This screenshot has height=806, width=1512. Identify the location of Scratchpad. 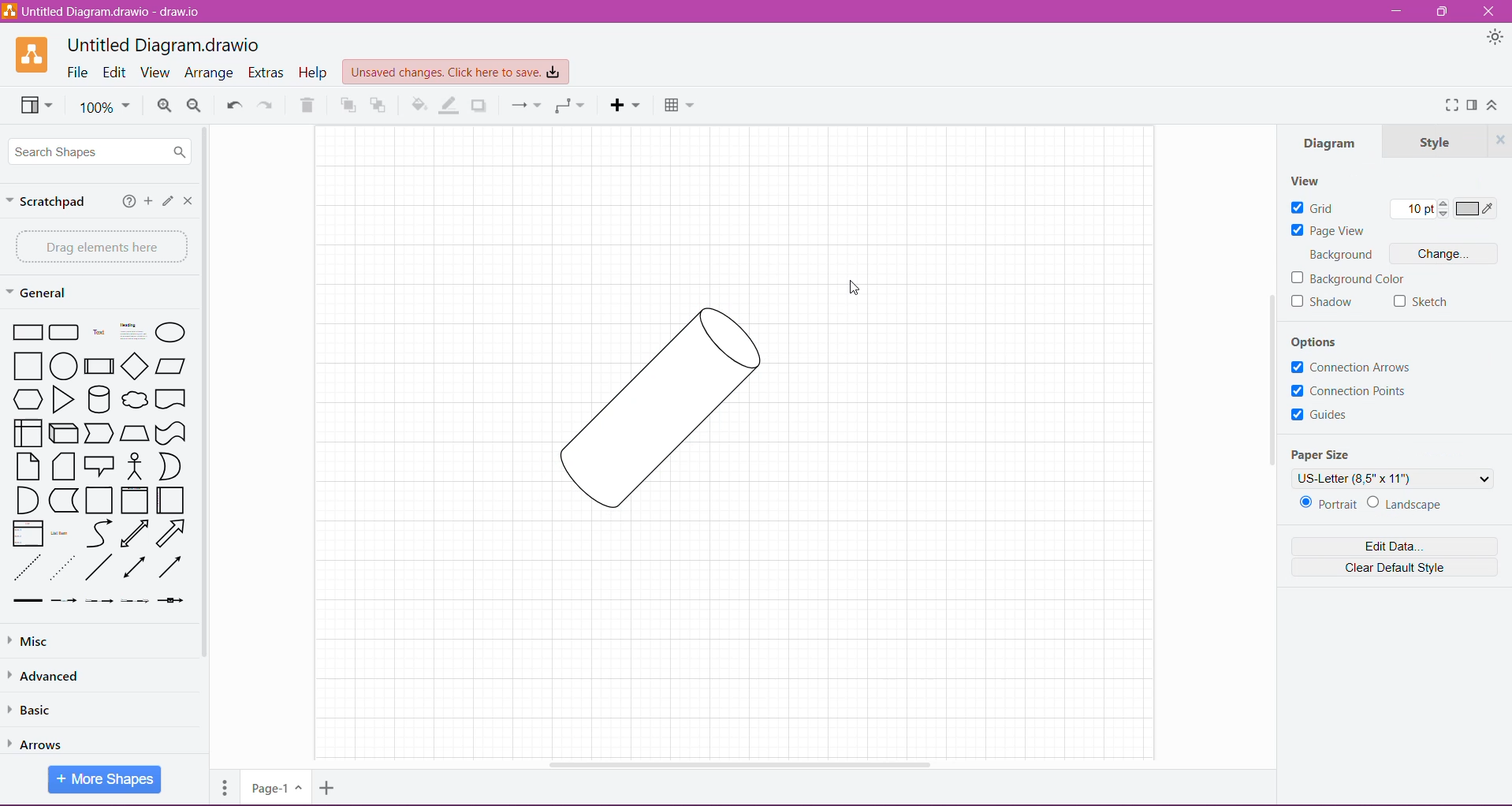
(50, 203).